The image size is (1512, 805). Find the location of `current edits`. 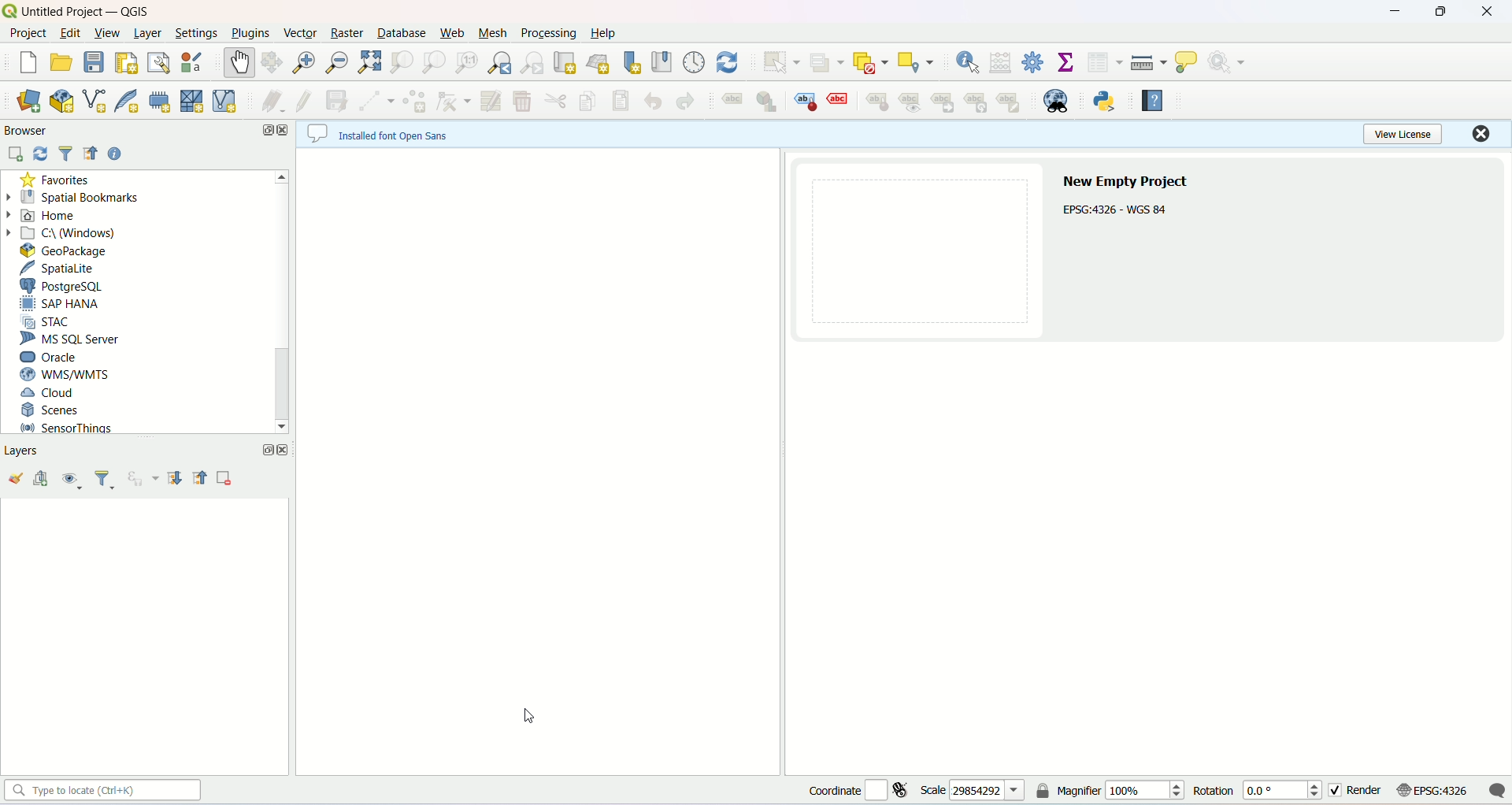

current edits is located at coordinates (272, 100).